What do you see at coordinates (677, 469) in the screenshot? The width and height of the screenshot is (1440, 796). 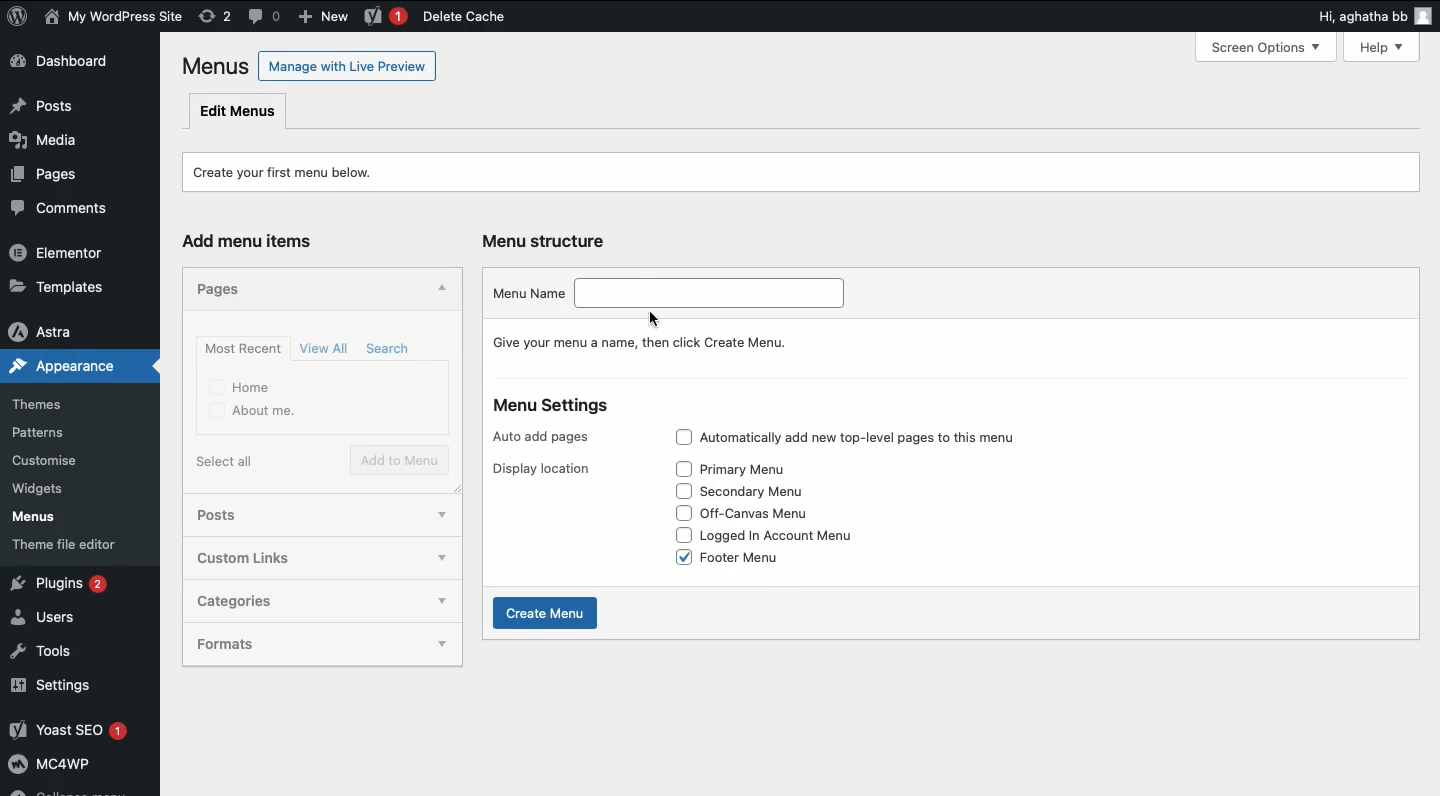 I see `Check box` at bounding box center [677, 469].